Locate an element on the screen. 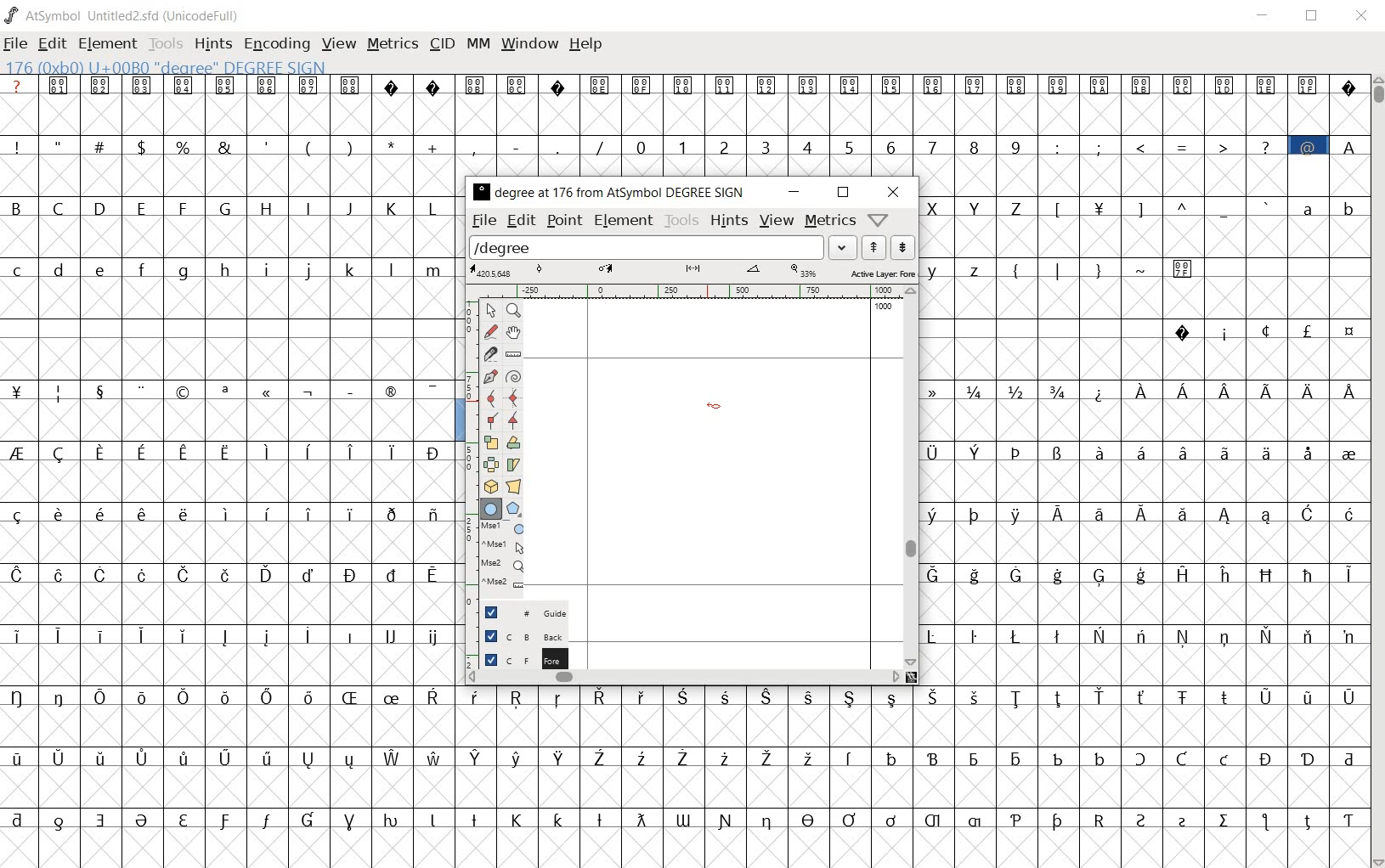 This screenshot has height=868, width=1385. AtSymbol Untitled2.sfd (UnicodeFull) is located at coordinates (126, 15).